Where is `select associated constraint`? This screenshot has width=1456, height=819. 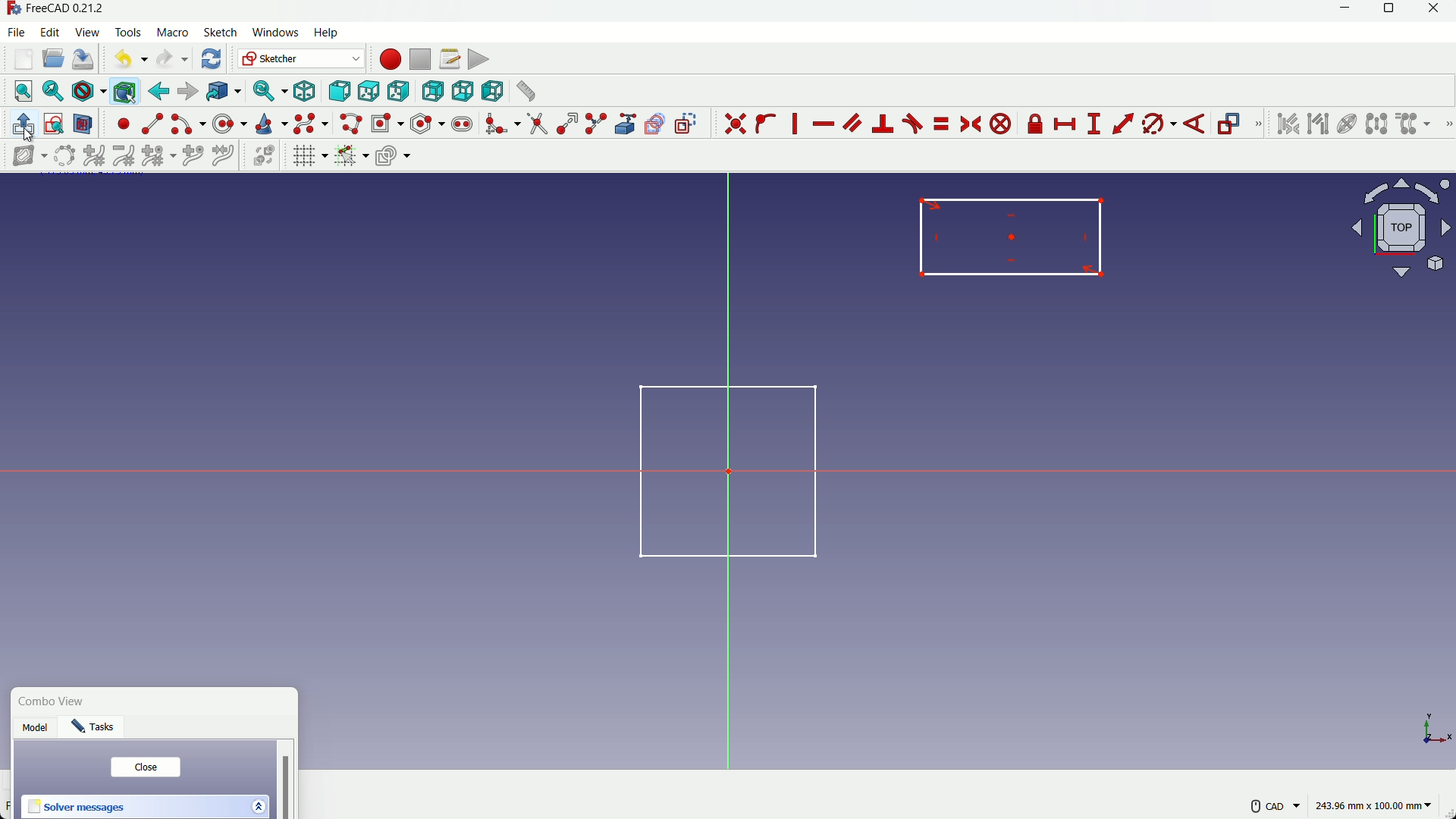 select associated constraint is located at coordinates (1287, 124).